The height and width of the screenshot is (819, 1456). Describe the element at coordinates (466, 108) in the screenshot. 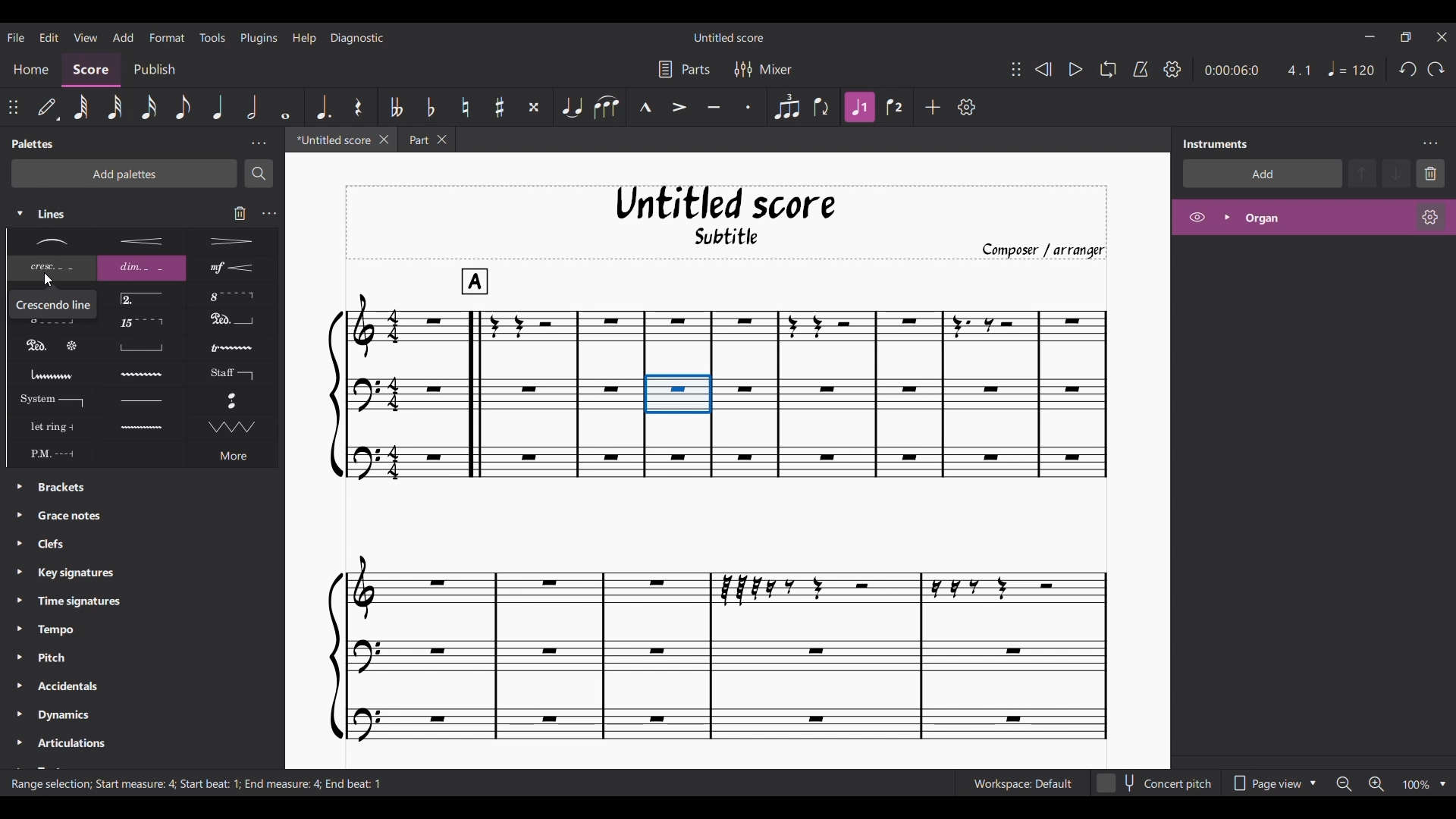

I see `Toggle natural` at that location.